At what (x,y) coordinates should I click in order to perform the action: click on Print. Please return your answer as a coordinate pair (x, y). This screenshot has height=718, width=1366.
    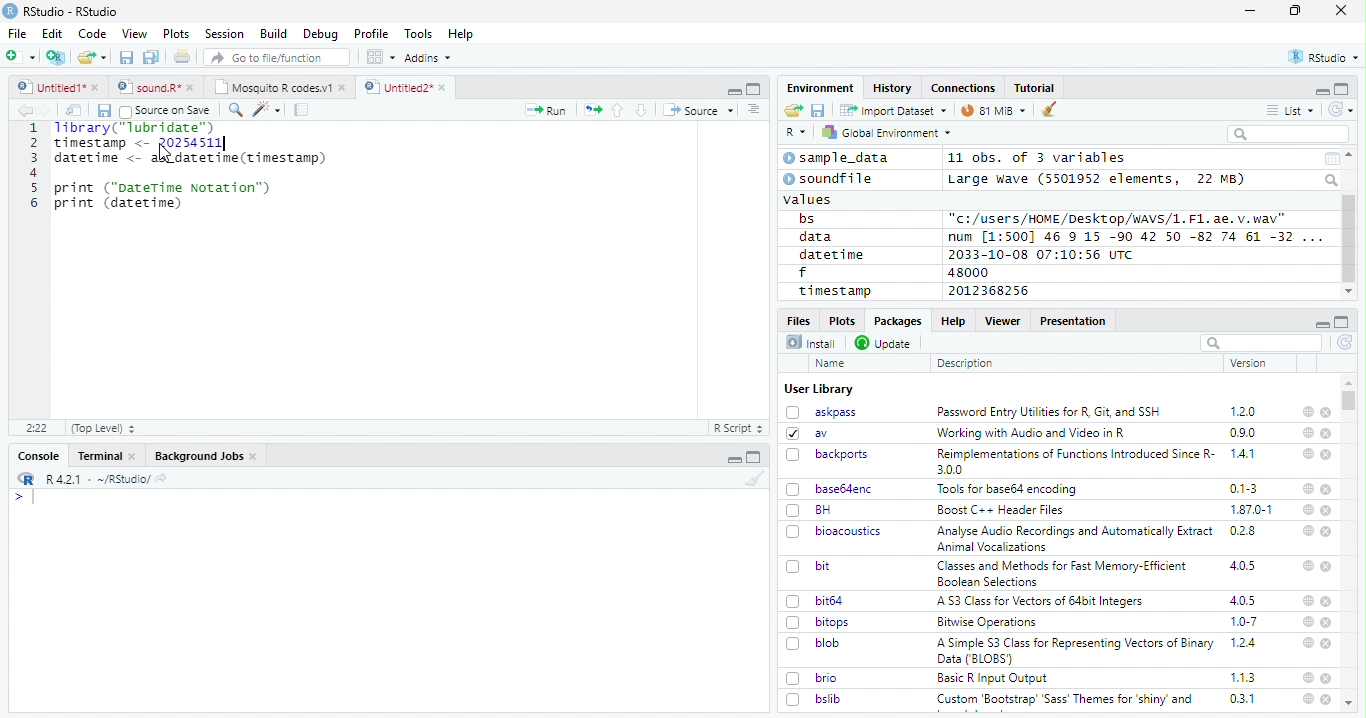
    Looking at the image, I should click on (183, 56).